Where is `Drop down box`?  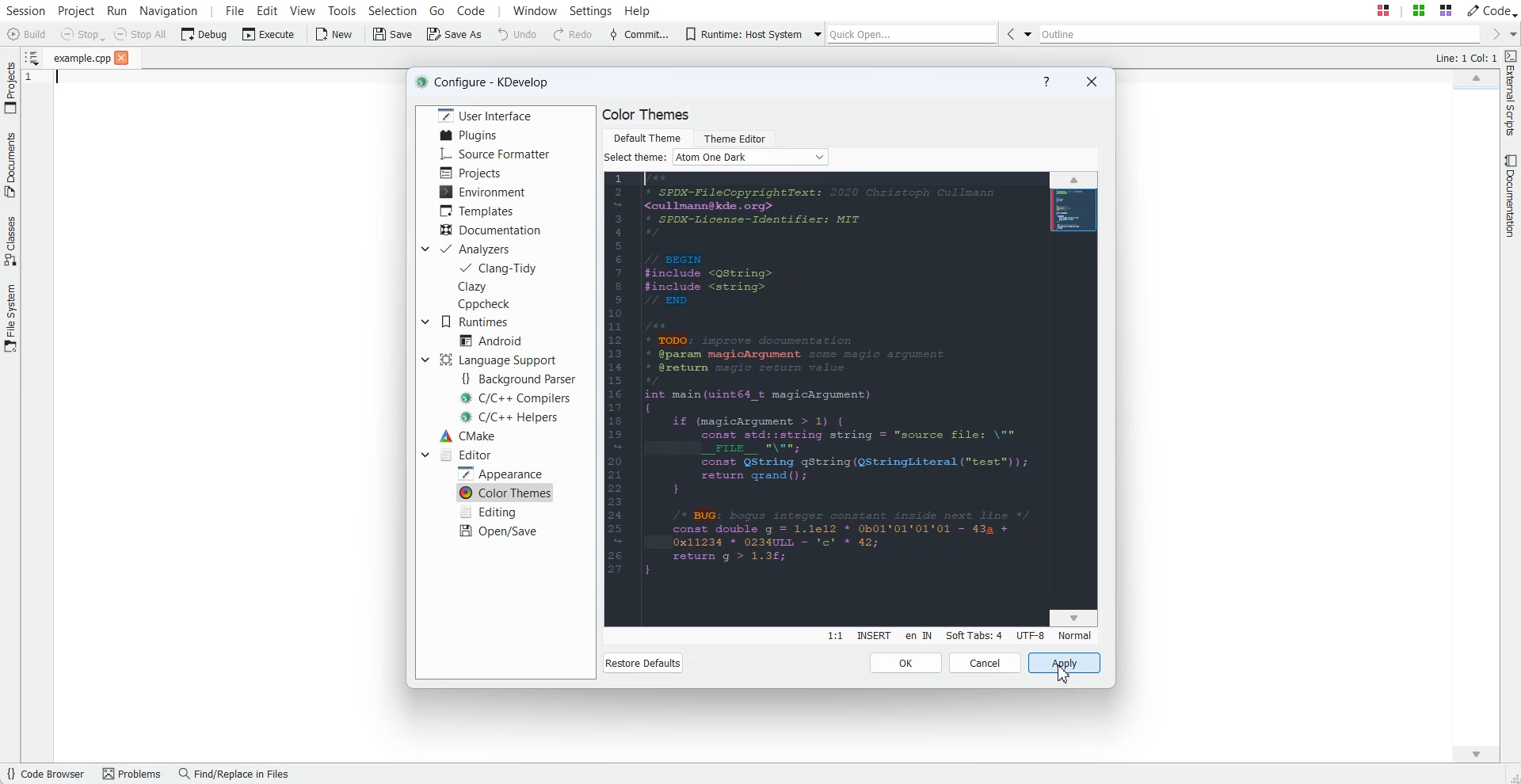
Drop down box is located at coordinates (1027, 33).